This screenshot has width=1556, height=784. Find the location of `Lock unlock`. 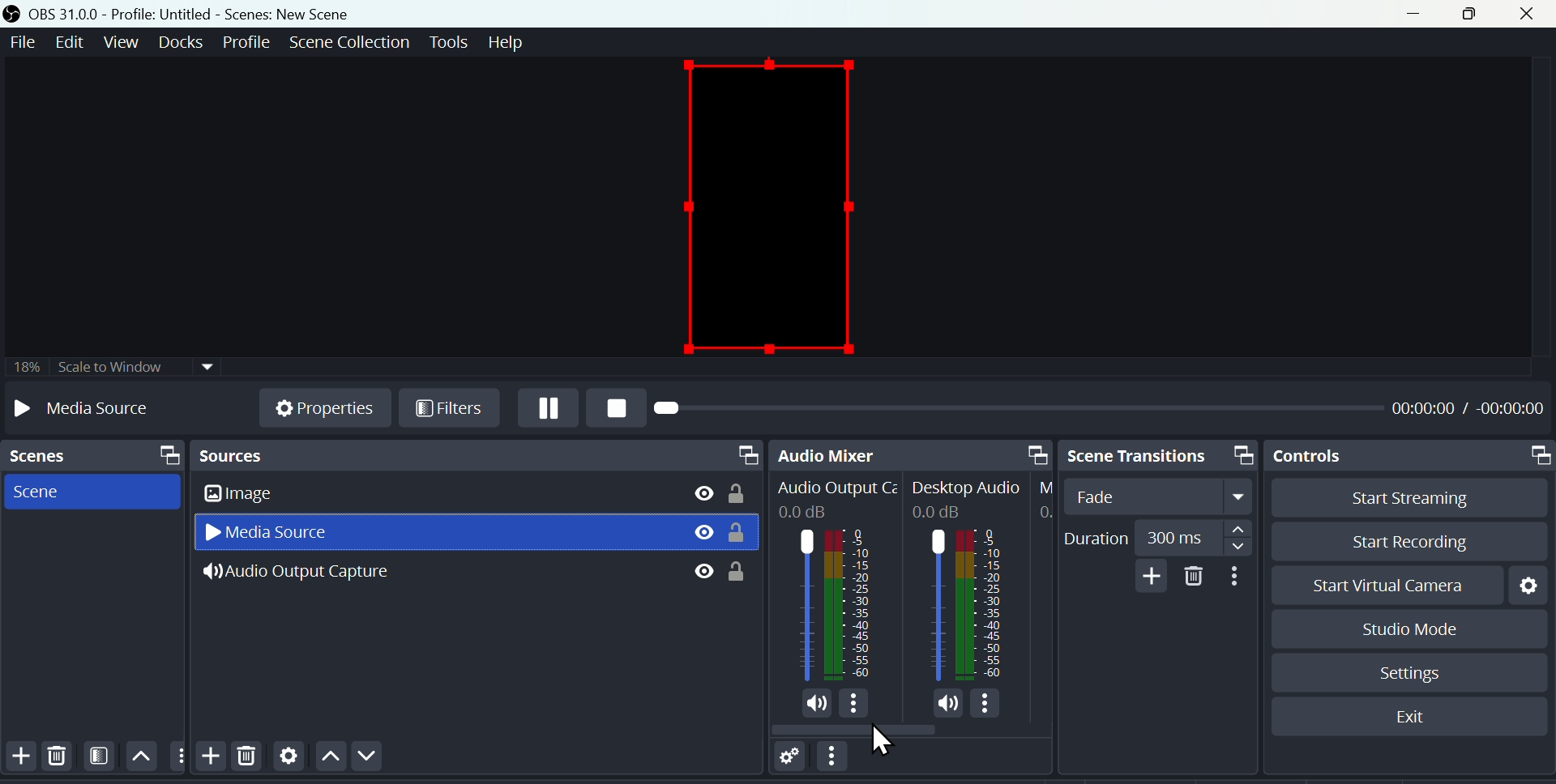

Lock unlock is located at coordinates (742, 535).